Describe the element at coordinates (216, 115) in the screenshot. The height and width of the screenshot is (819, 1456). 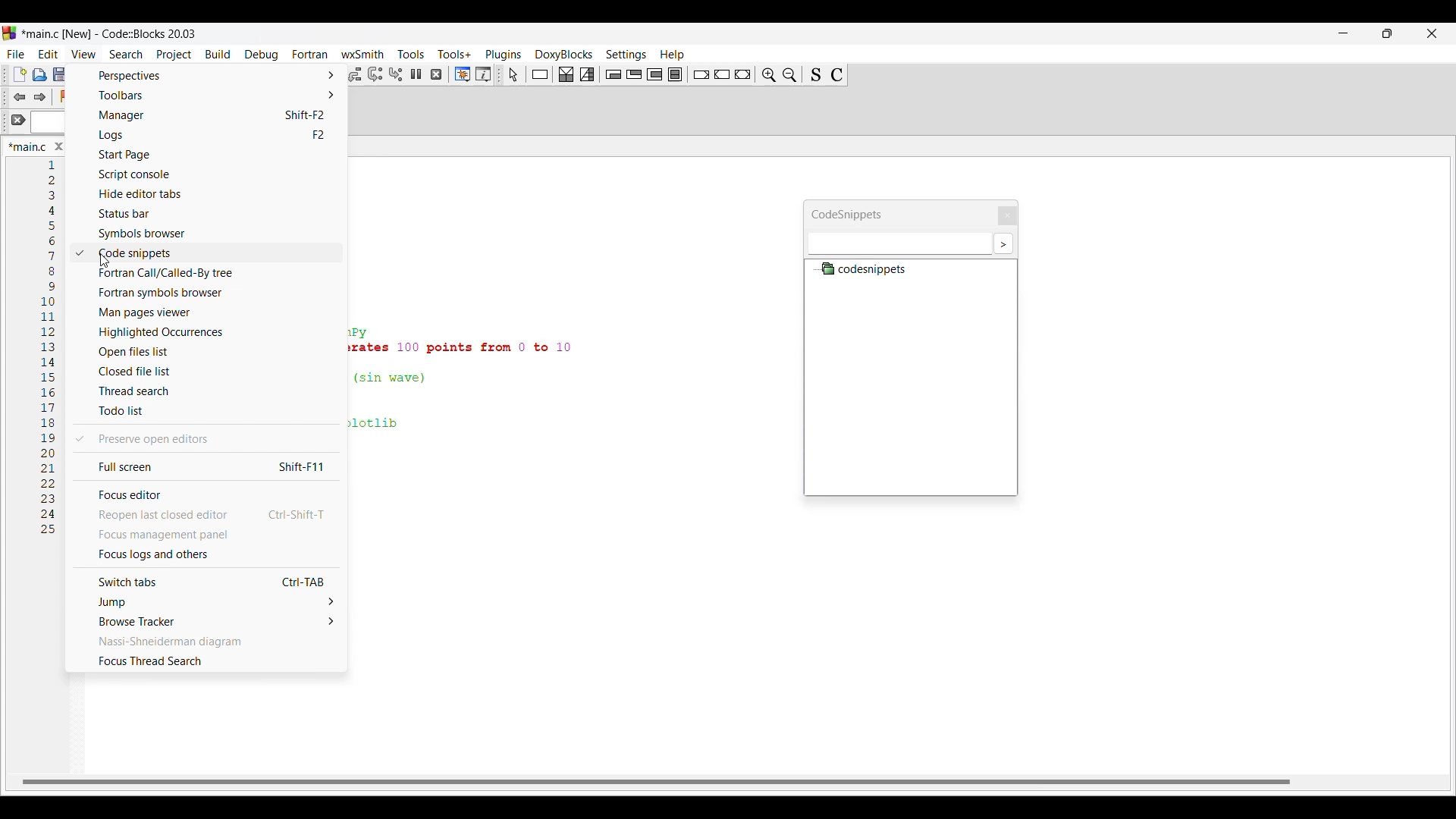
I see `Manager` at that location.